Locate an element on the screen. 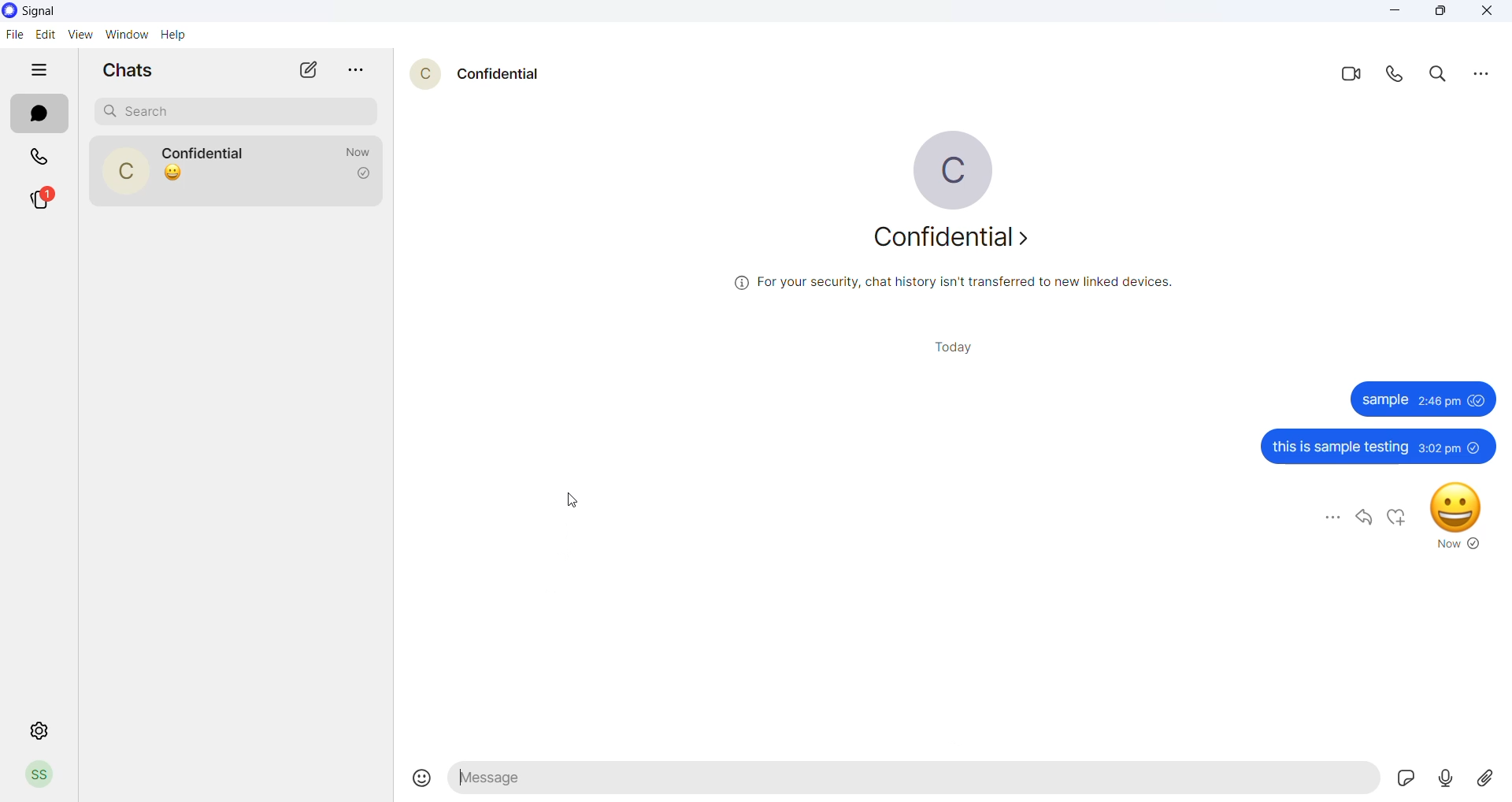 Image resolution: width=1512 pixels, height=802 pixels. close is located at coordinates (1484, 13).